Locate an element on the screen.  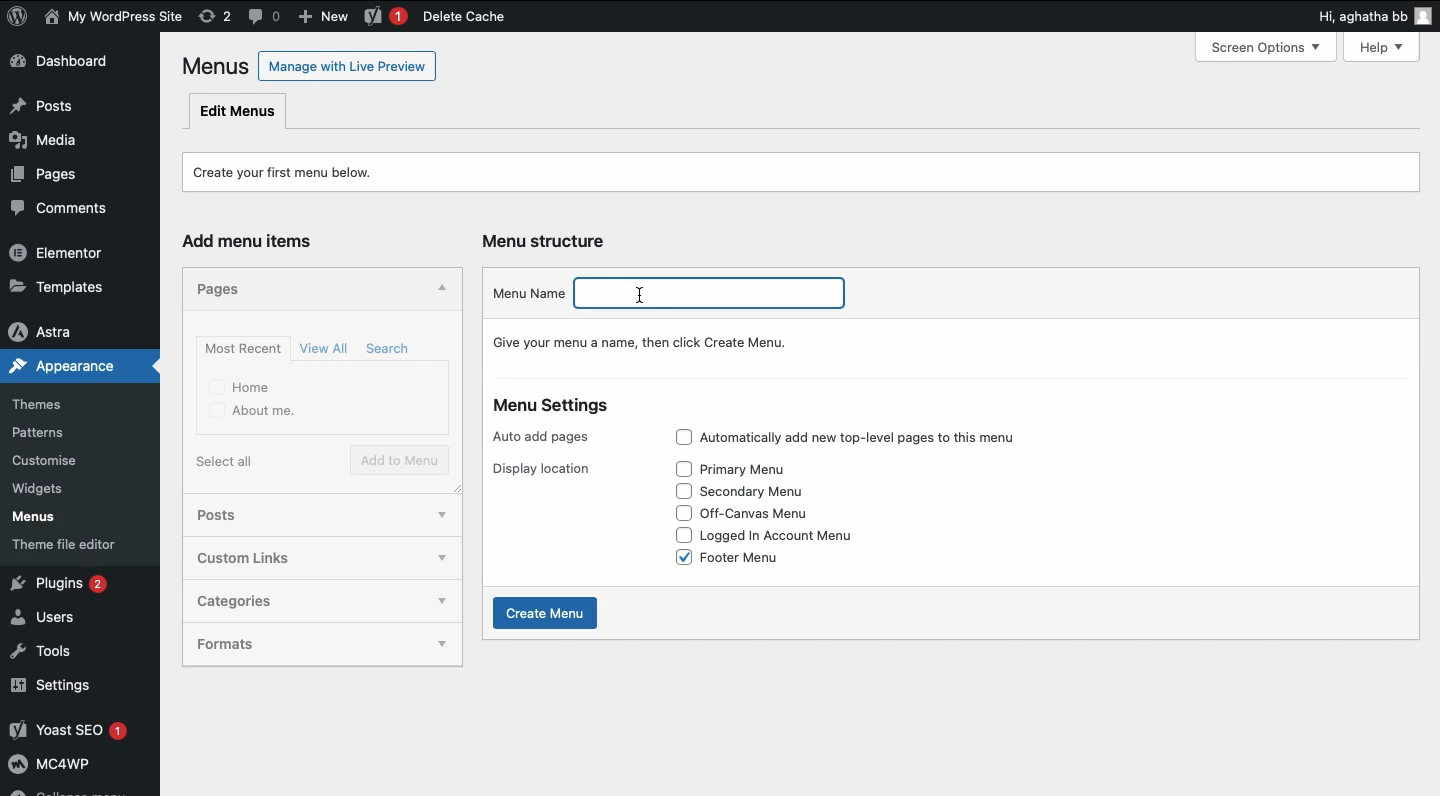
Settings is located at coordinates (75, 687).